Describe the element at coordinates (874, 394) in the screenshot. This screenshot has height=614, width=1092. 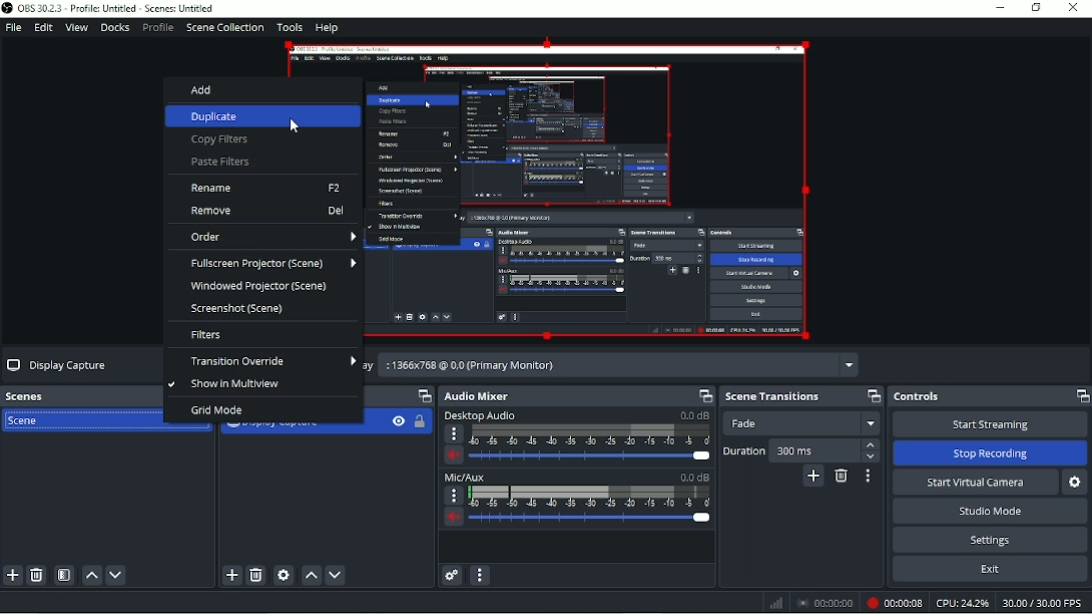
I see `Maximize` at that location.